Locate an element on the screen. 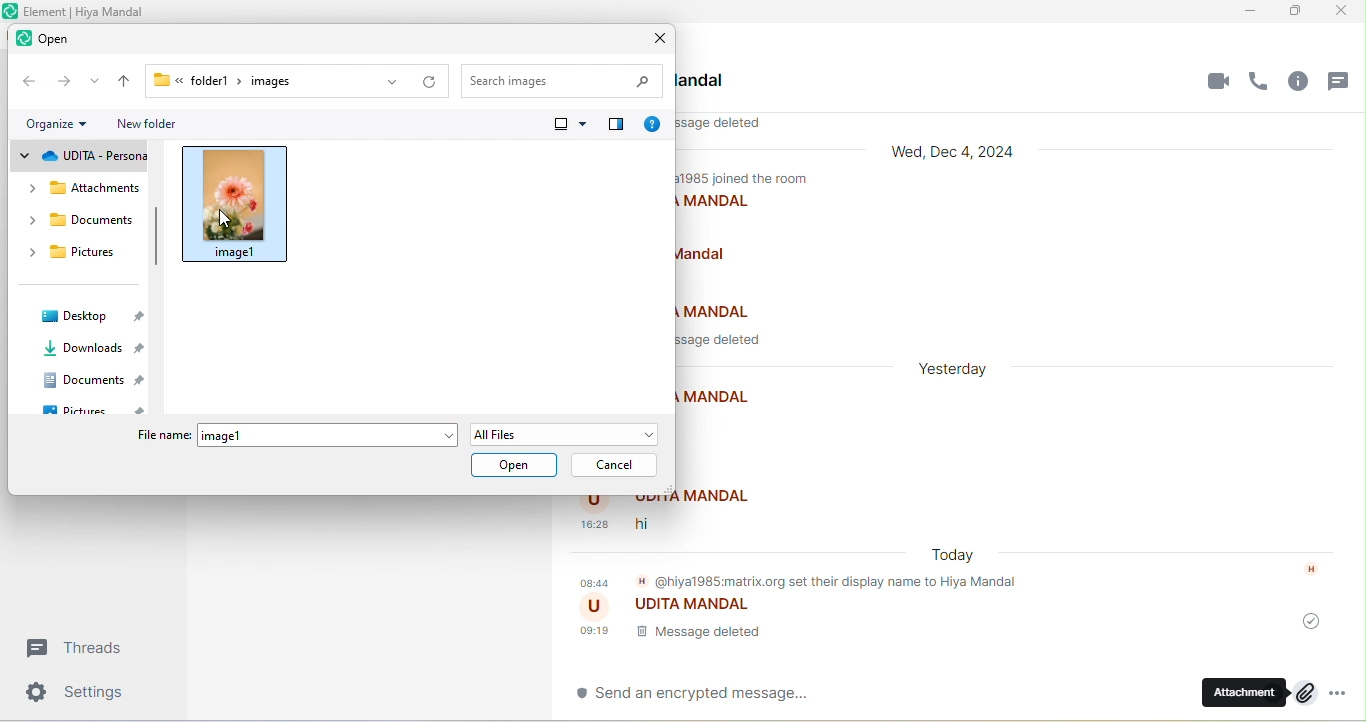 The height and width of the screenshot is (722, 1366). attachments is located at coordinates (82, 194).